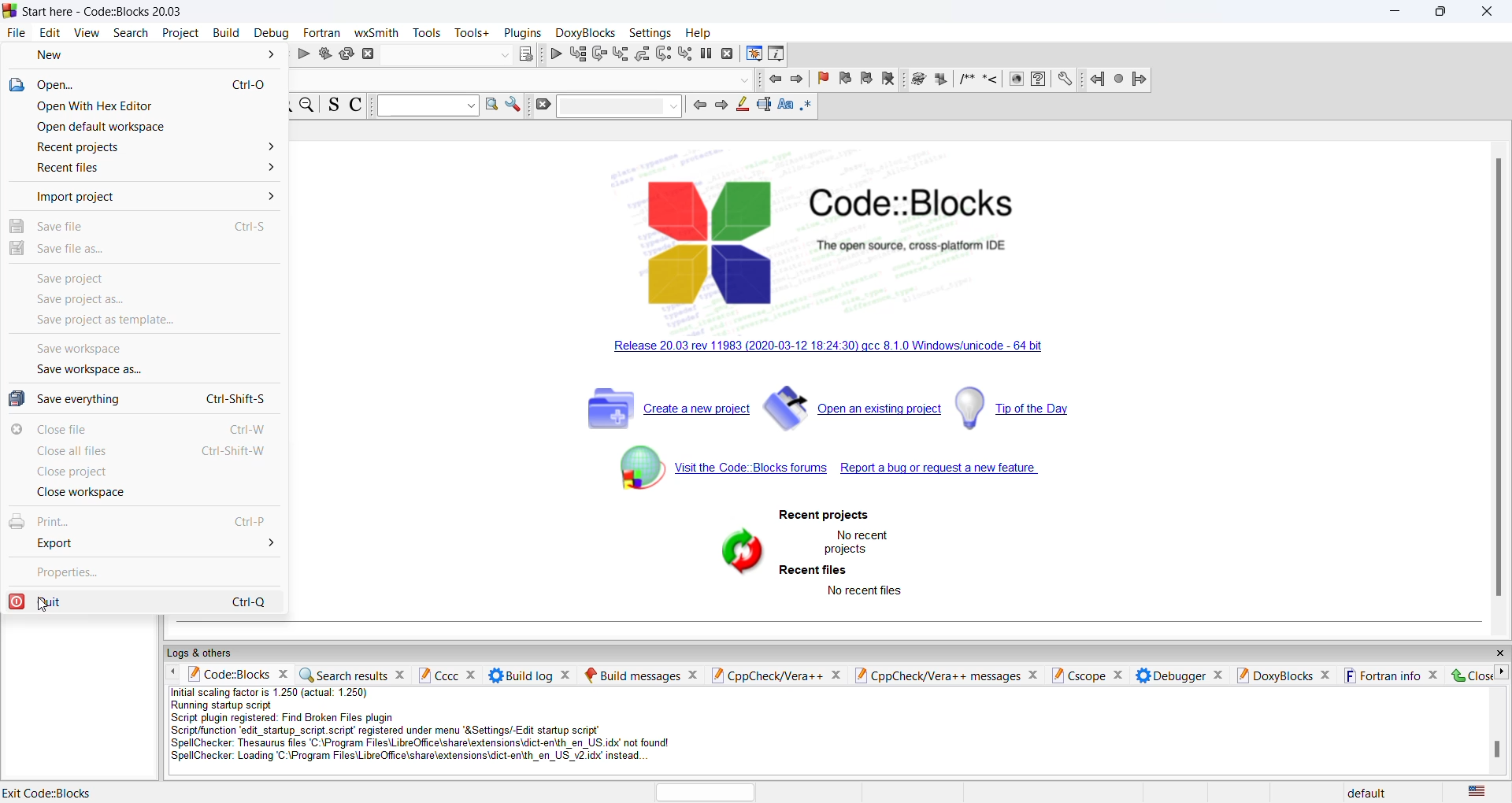  Describe the element at coordinates (438, 726) in the screenshot. I see `script` at that location.